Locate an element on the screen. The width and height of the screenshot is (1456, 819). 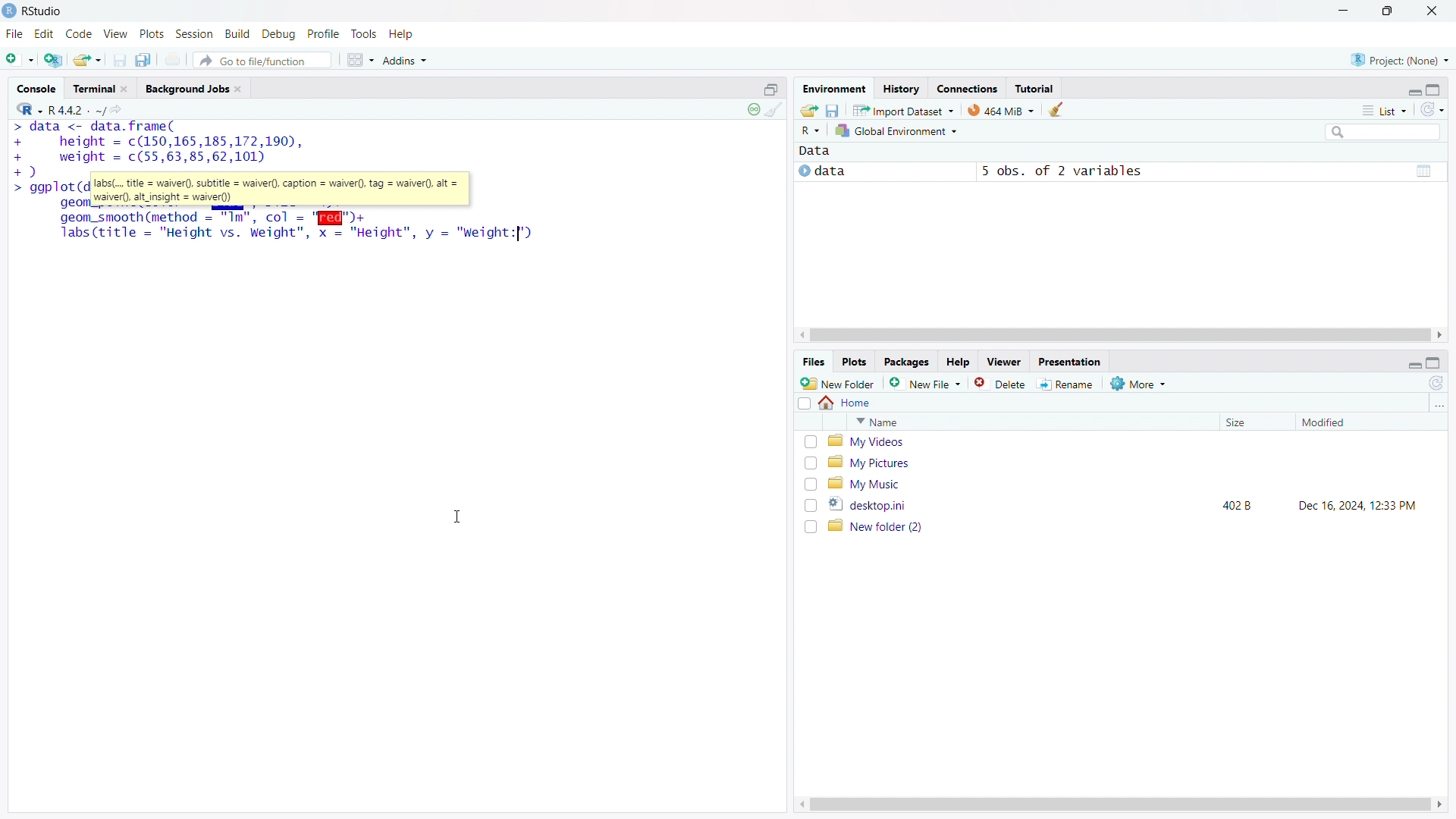
code is located at coordinates (79, 34).